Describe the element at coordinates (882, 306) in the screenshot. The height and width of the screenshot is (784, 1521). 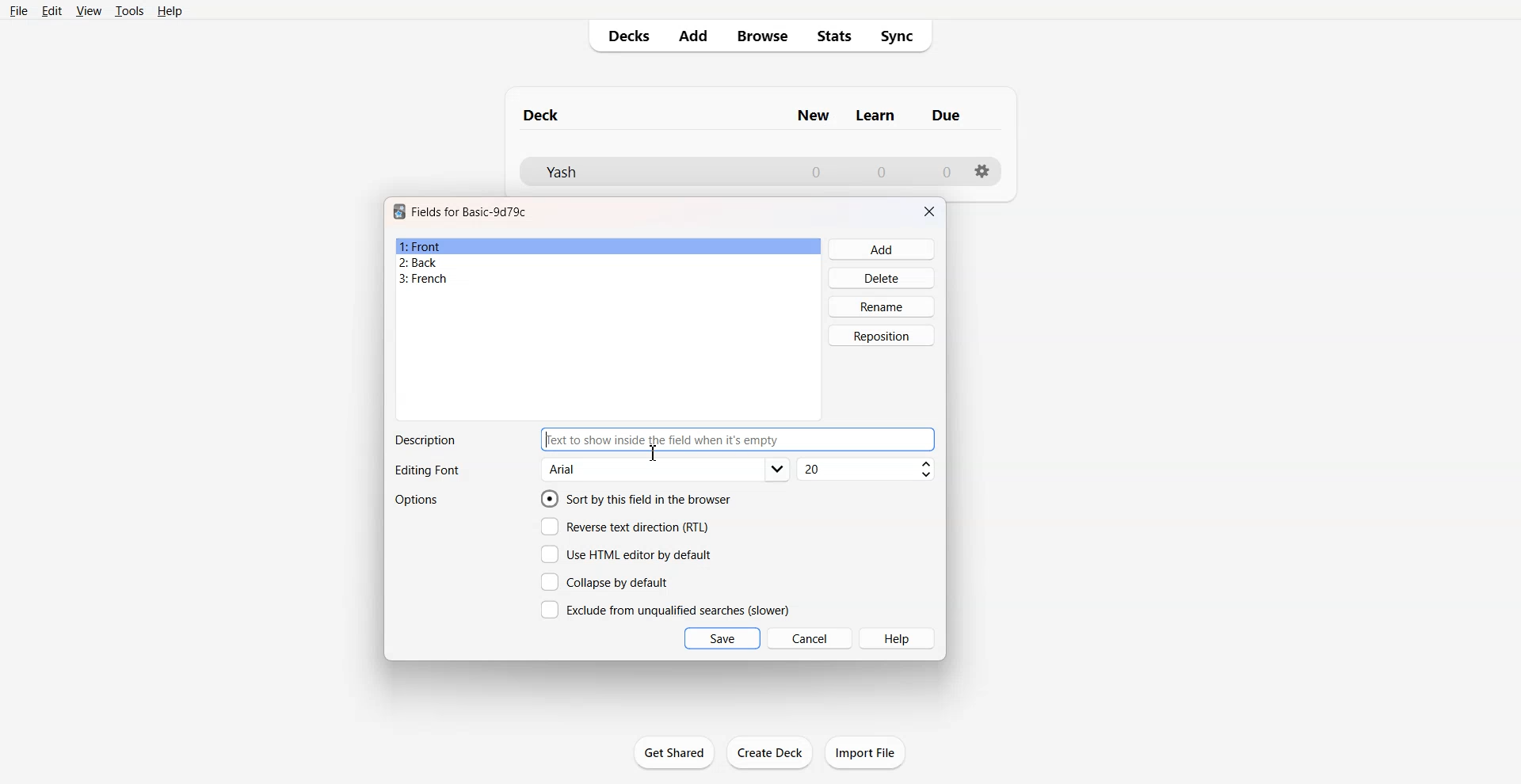
I see `Rename` at that location.